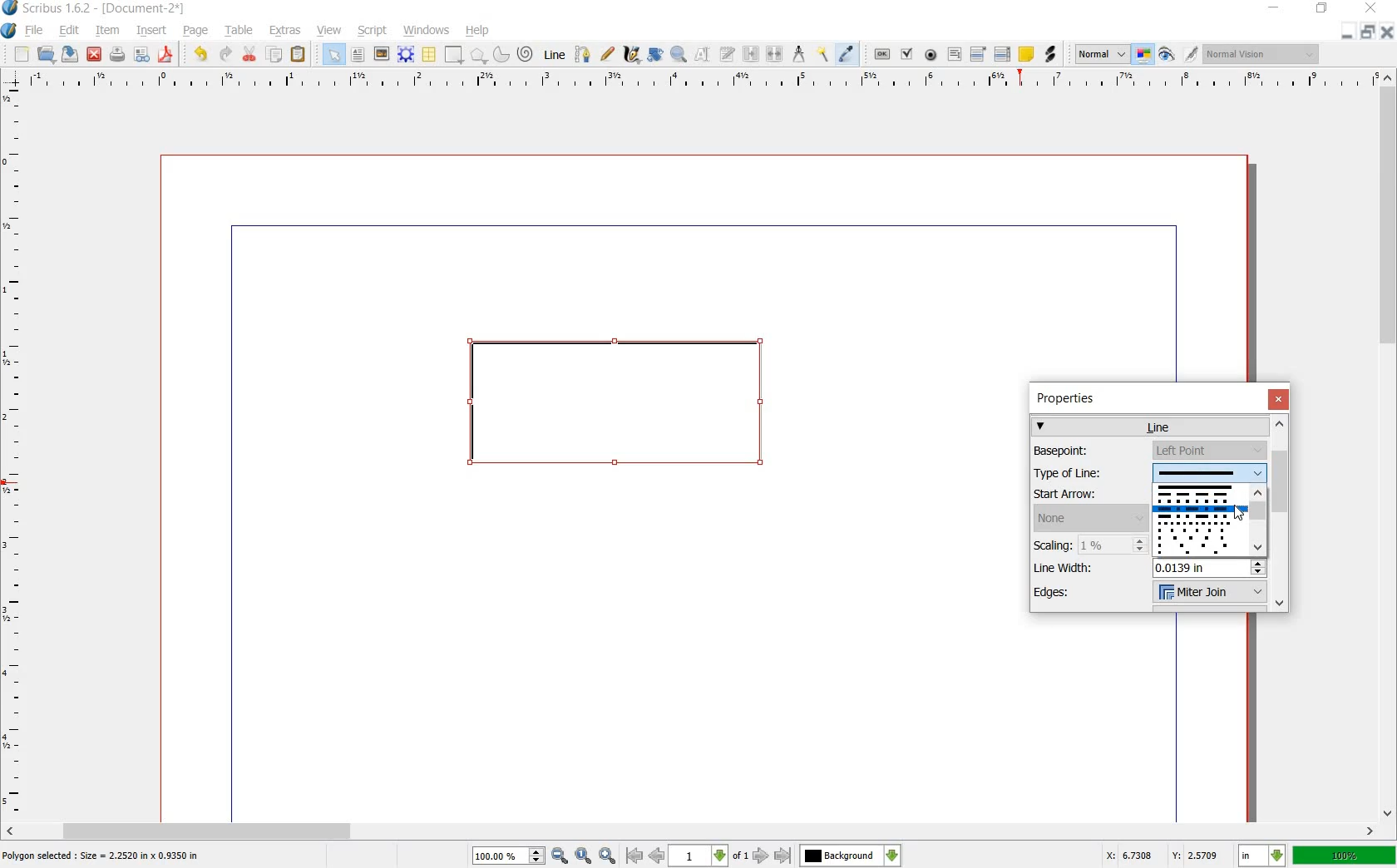 This screenshot has width=1397, height=868. Describe the element at coordinates (427, 31) in the screenshot. I see `WINDOWS` at that location.